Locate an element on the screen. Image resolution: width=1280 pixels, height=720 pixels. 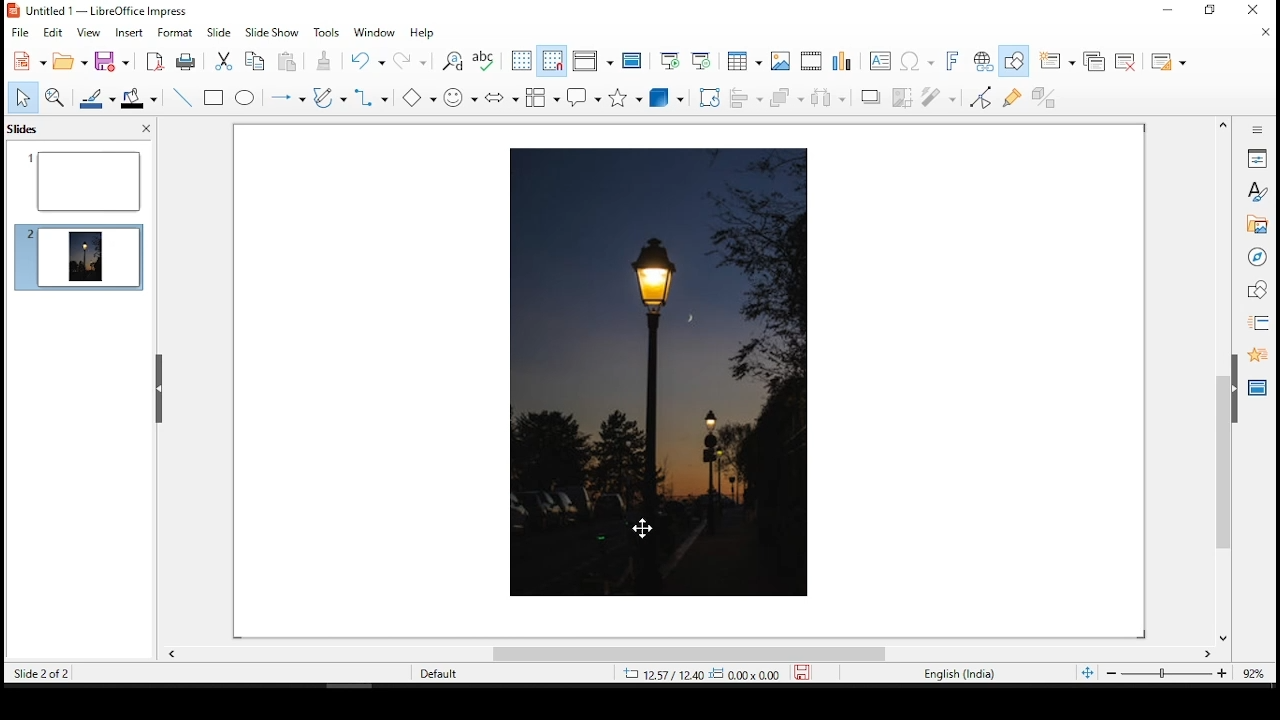
callout shapes is located at coordinates (583, 97).